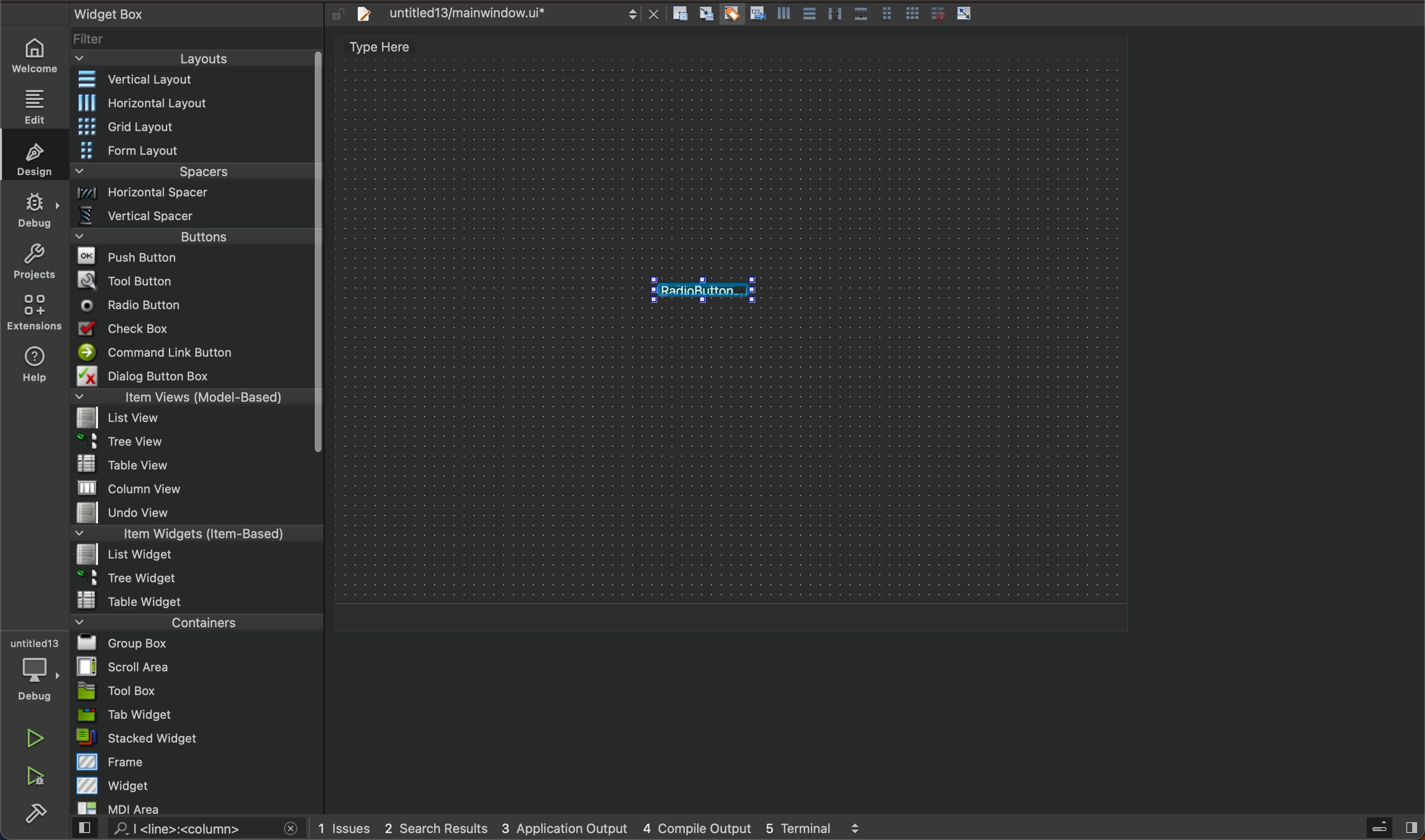 The image size is (1425, 840). What do you see at coordinates (194, 240) in the screenshot?
I see `` at bounding box center [194, 240].